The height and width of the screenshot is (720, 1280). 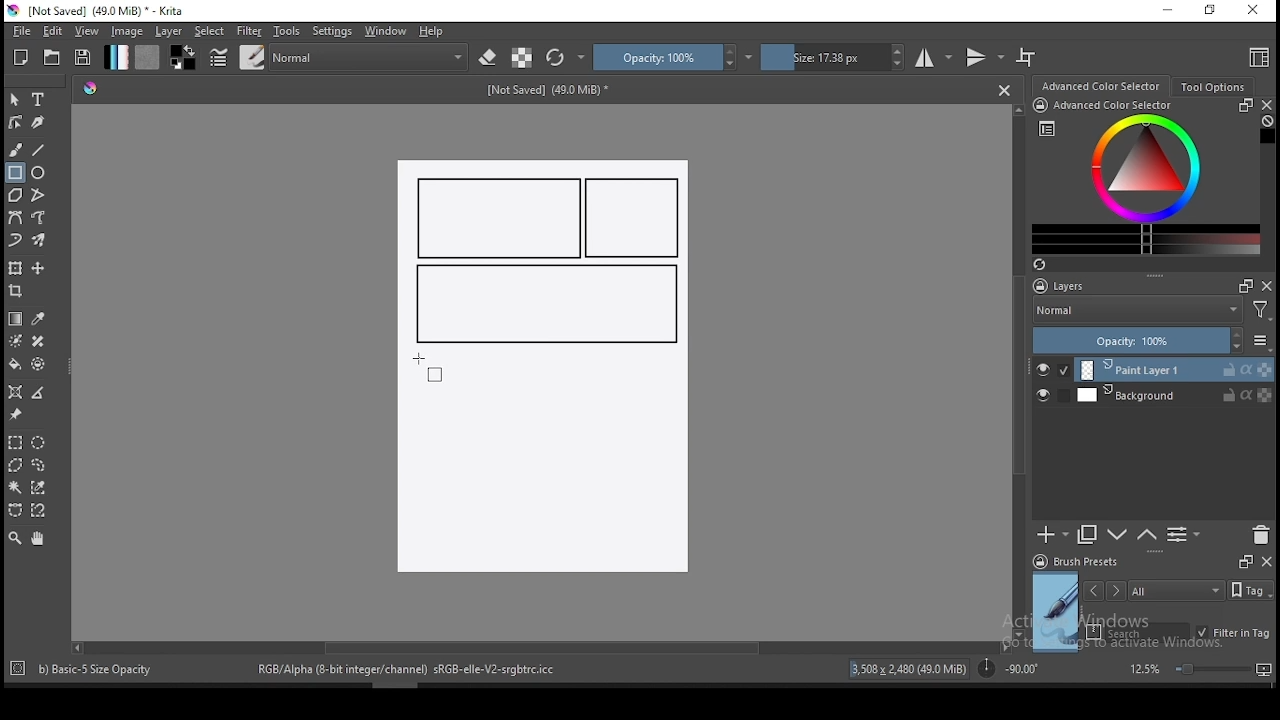 What do you see at coordinates (170, 31) in the screenshot?
I see `layer` at bounding box center [170, 31].